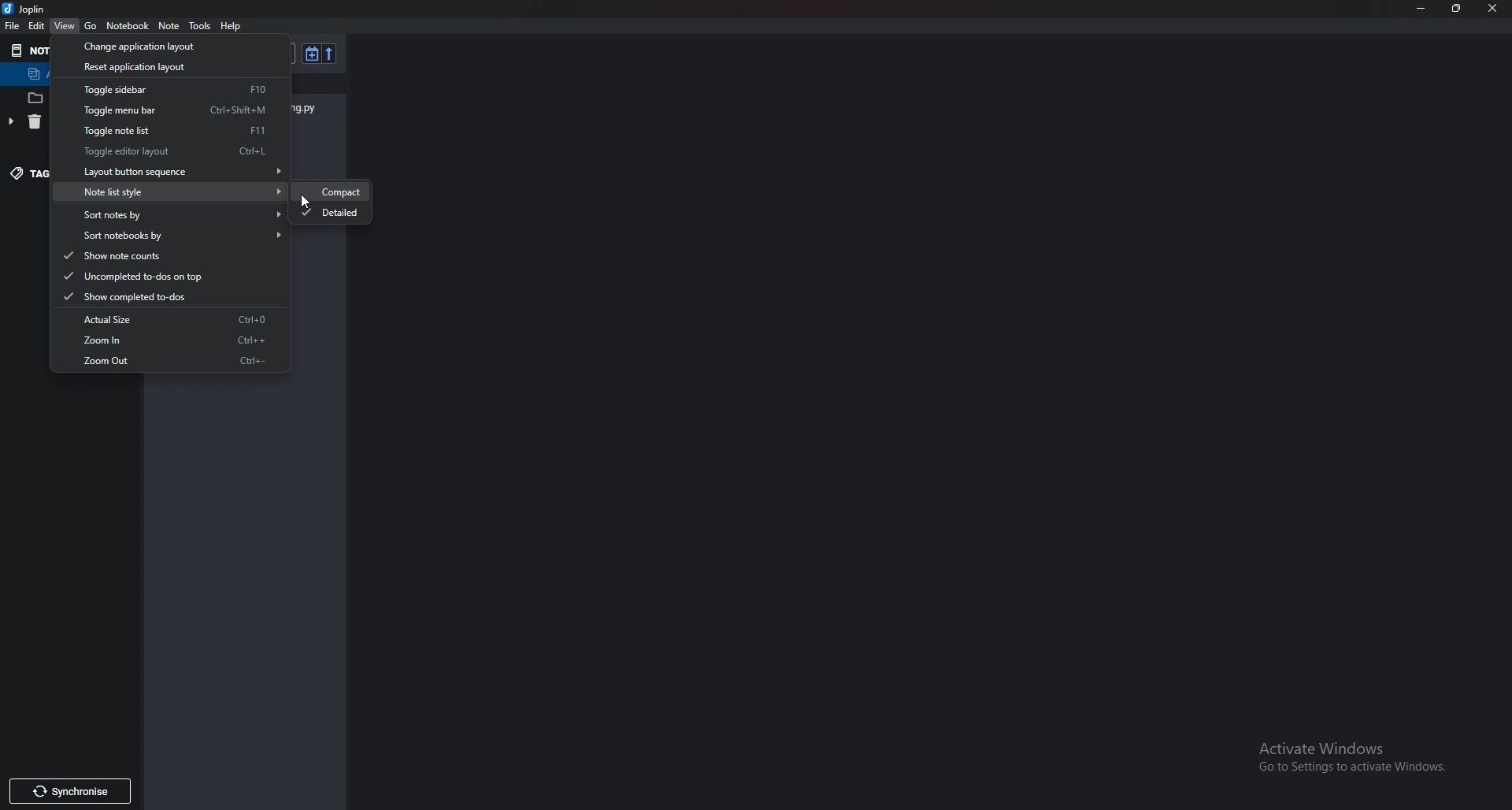 This screenshot has height=810, width=1512. I want to click on help, so click(231, 27).